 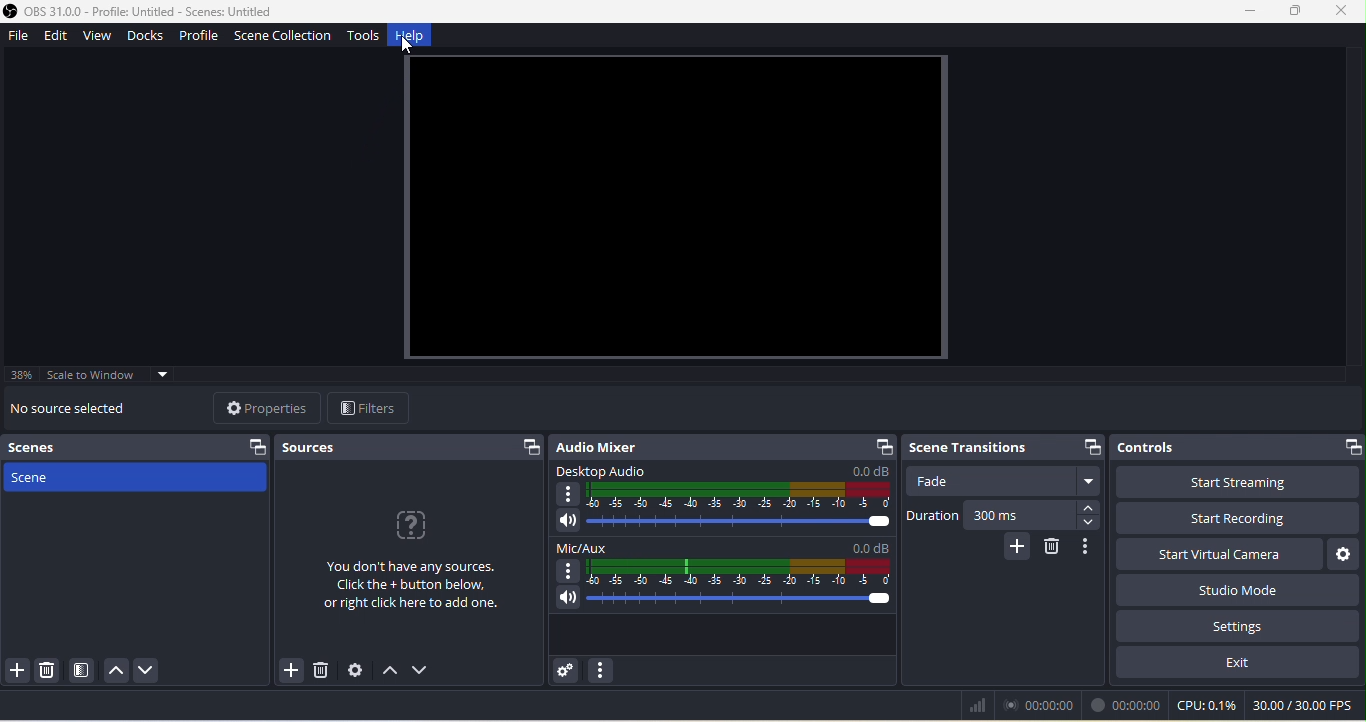 What do you see at coordinates (1240, 662) in the screenshot?
I see `exit` at bounding box center [1240, 662].